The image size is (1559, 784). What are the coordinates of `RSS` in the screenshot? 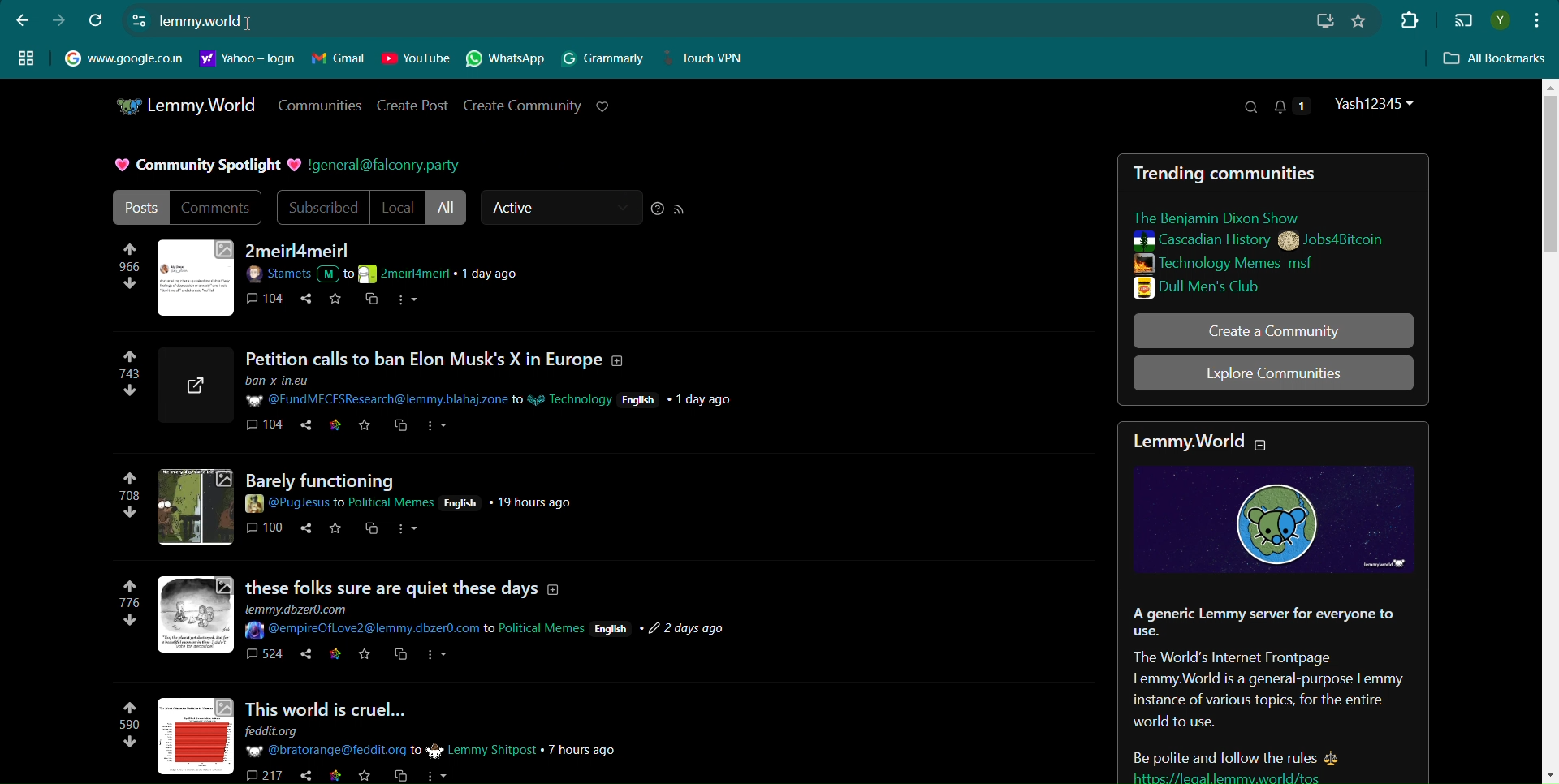 It's located at (680, 209).